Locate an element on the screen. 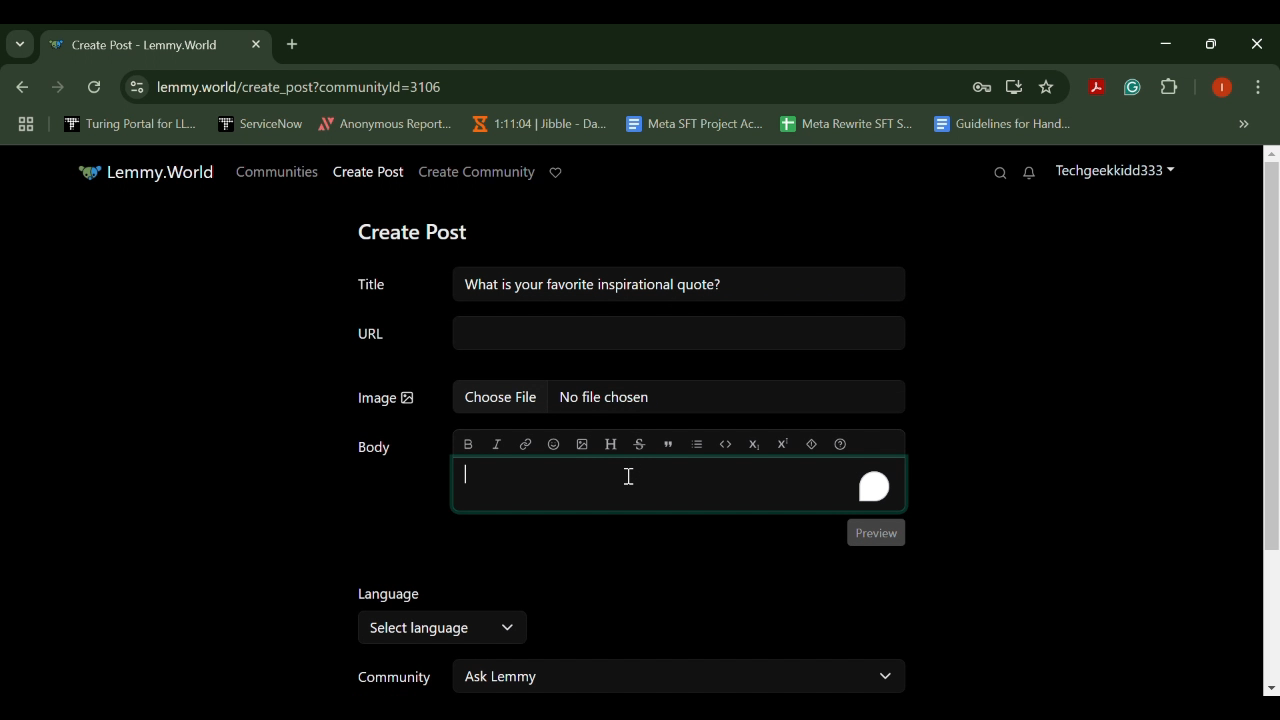 Image resolution: width=1280 pixels, height=720 pixels. Ask Lemmy is located at coordinates (680, 675).